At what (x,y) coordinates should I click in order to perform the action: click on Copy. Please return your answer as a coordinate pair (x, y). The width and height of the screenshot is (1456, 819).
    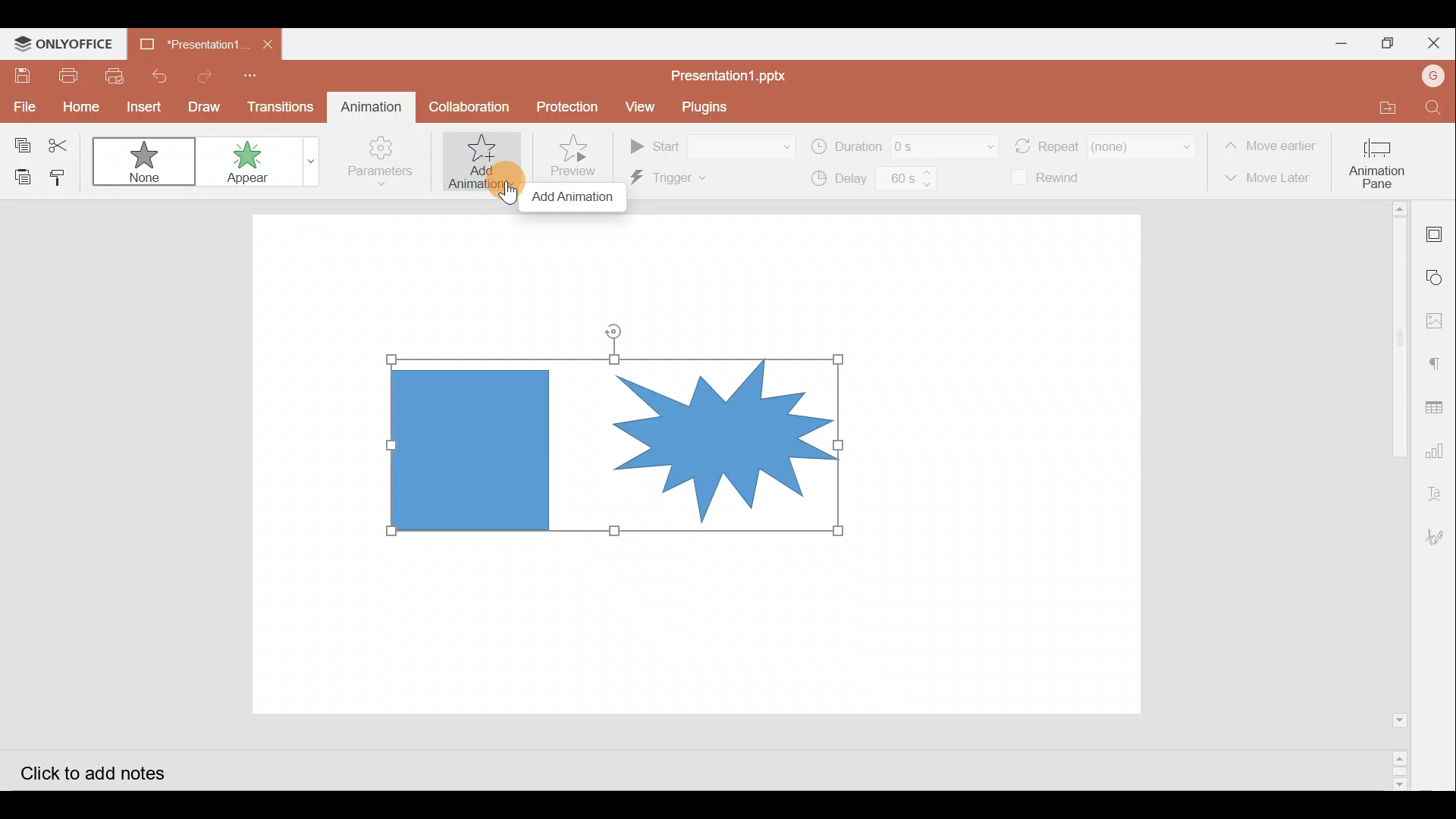
    Looking at the image, I should click on (18, 140).